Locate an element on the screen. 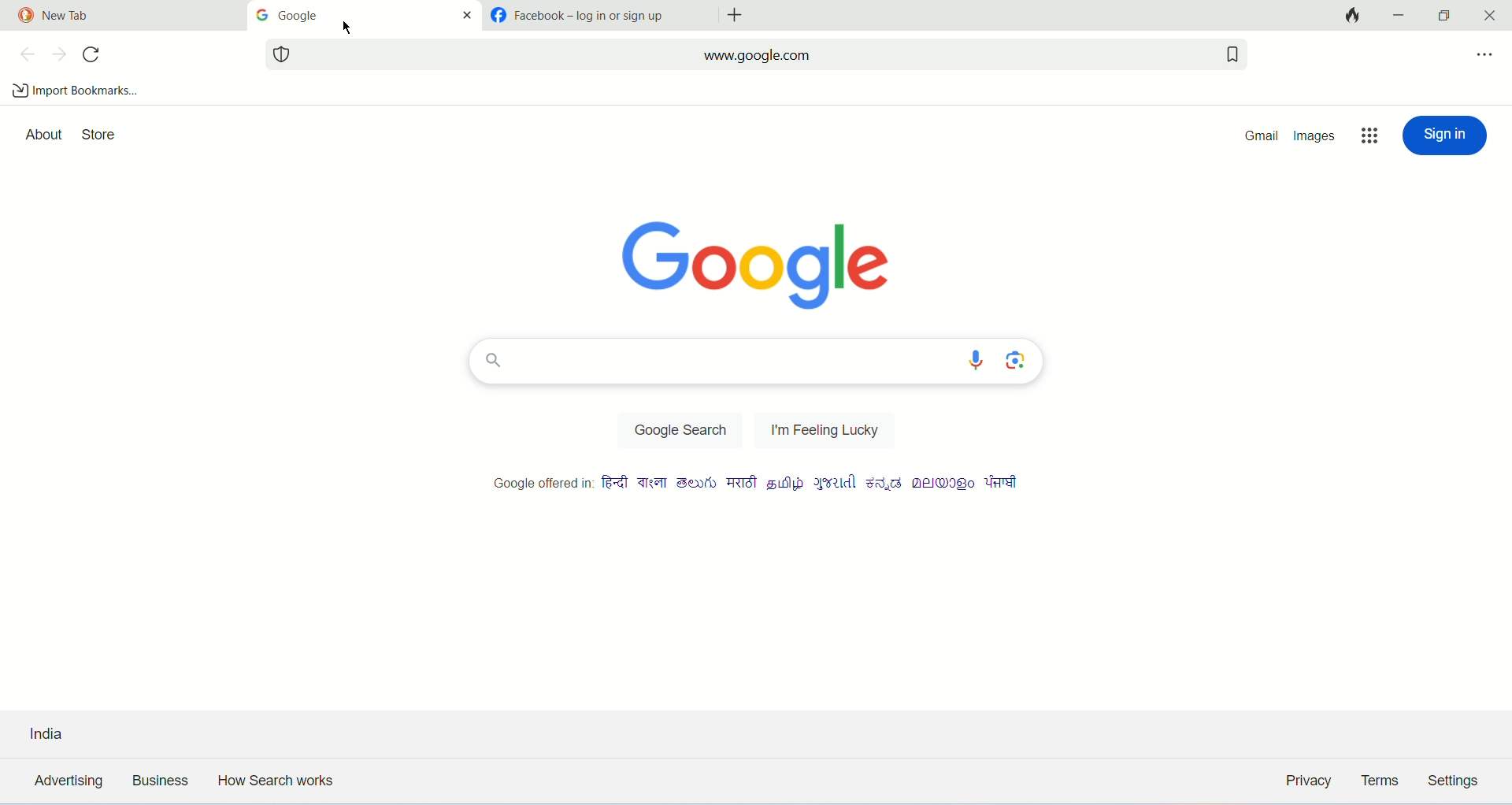 The image size is (1512, 805). tab2 is located at coordinates (365, 17).